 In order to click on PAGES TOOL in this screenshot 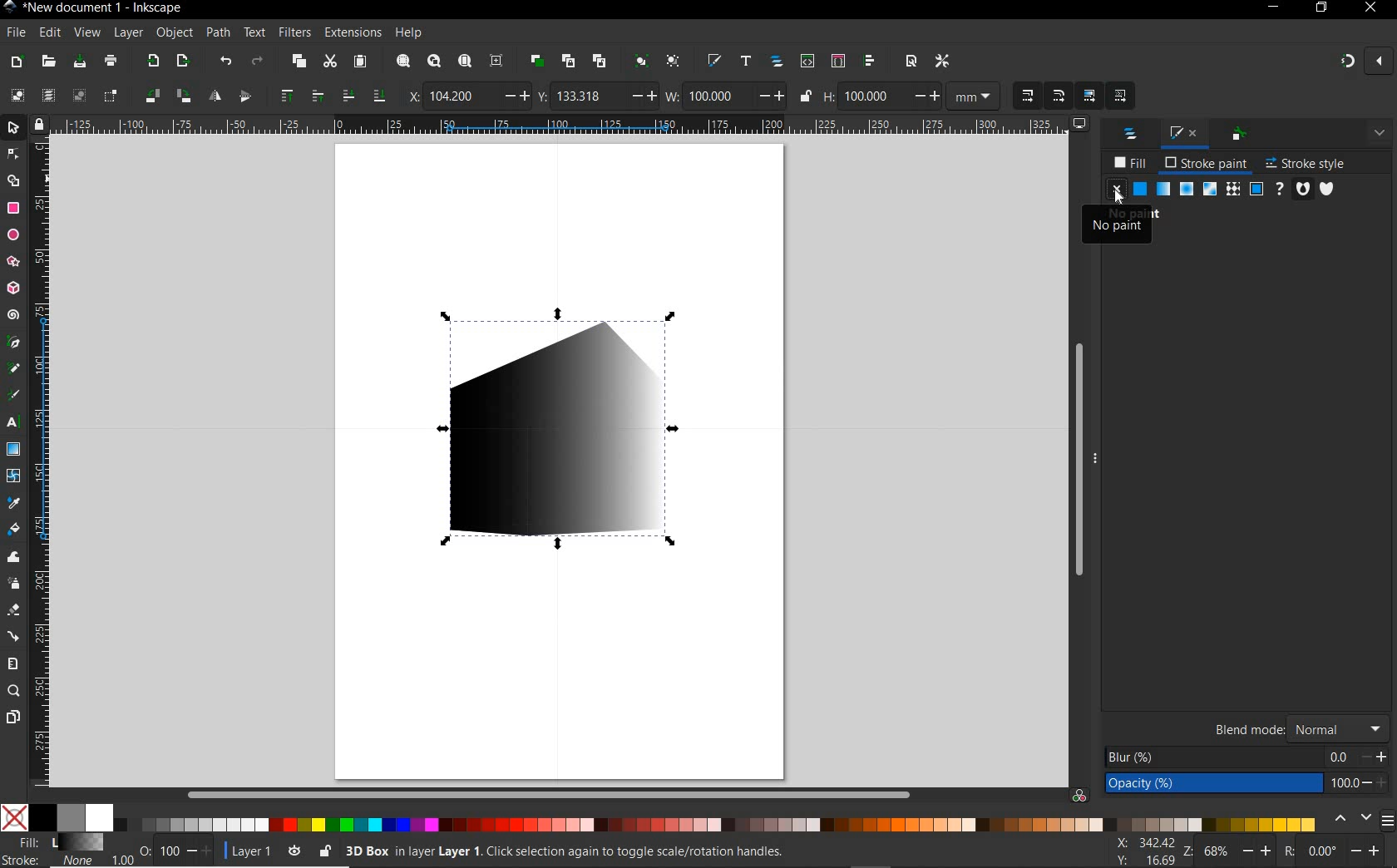, I will do `click(13, 718)`.